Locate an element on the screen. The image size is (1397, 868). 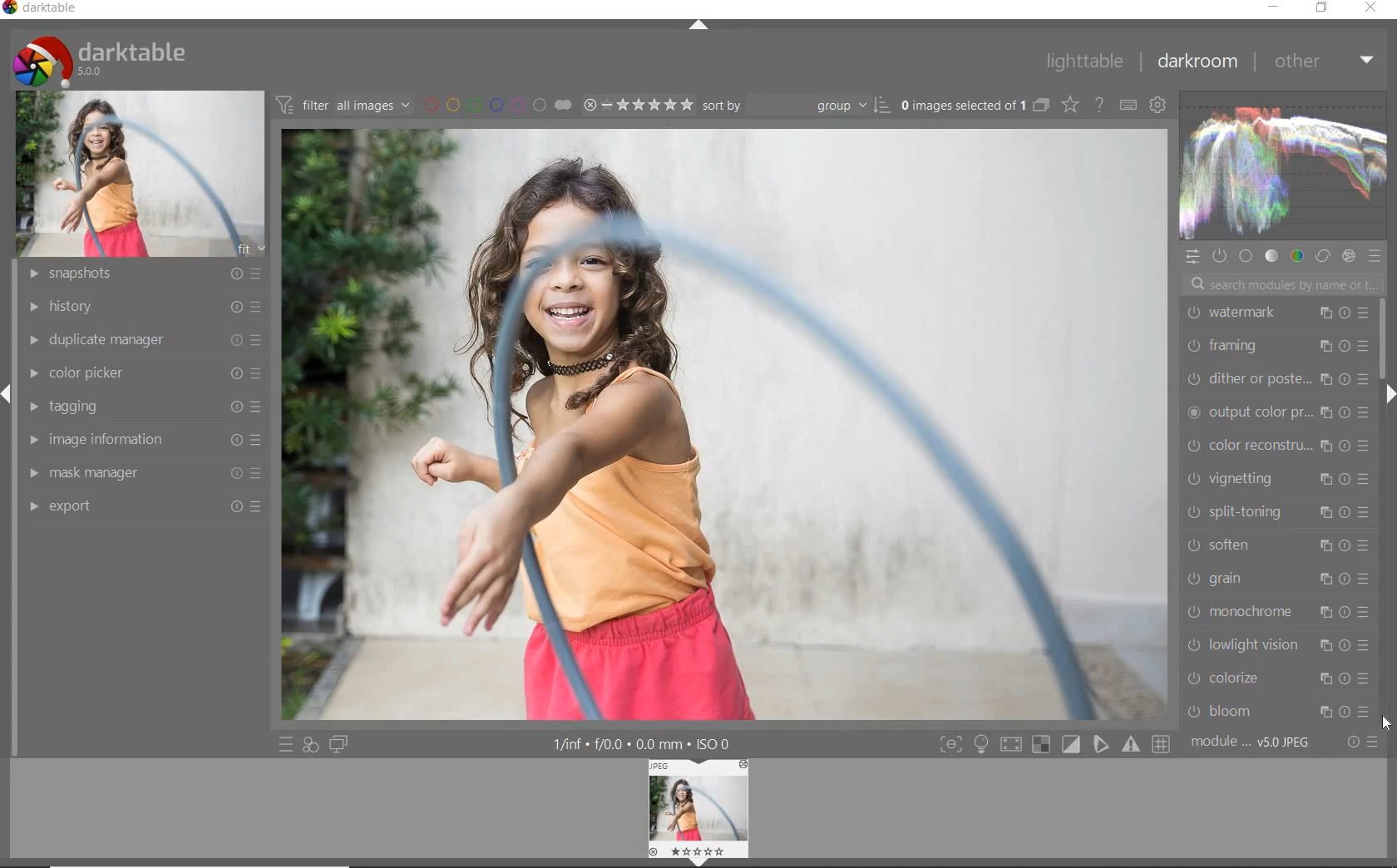
image selected is located at coordinates (729, 429).